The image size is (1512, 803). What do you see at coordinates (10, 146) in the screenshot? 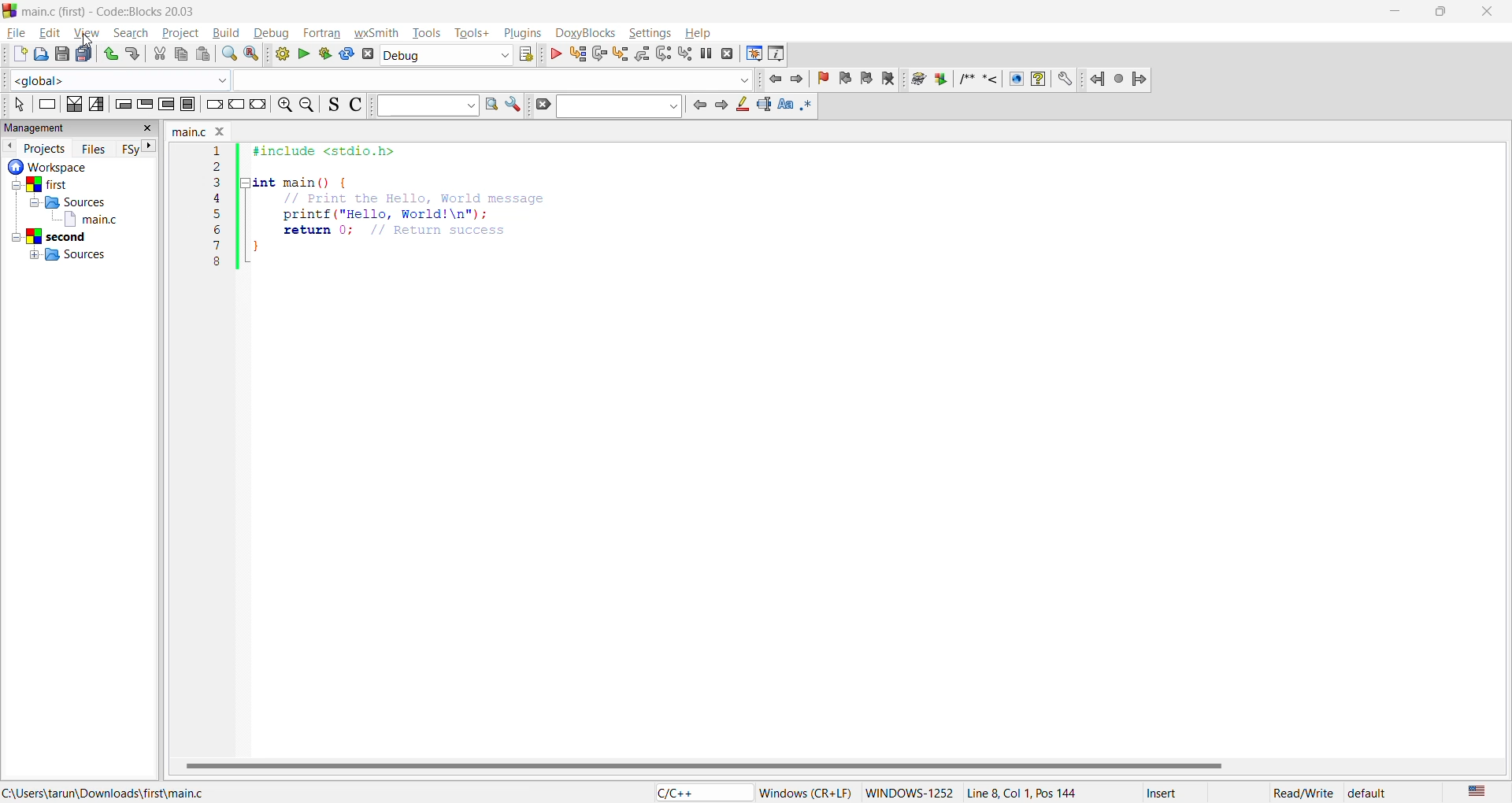
I see `previous` at bounding box center [10, 146].